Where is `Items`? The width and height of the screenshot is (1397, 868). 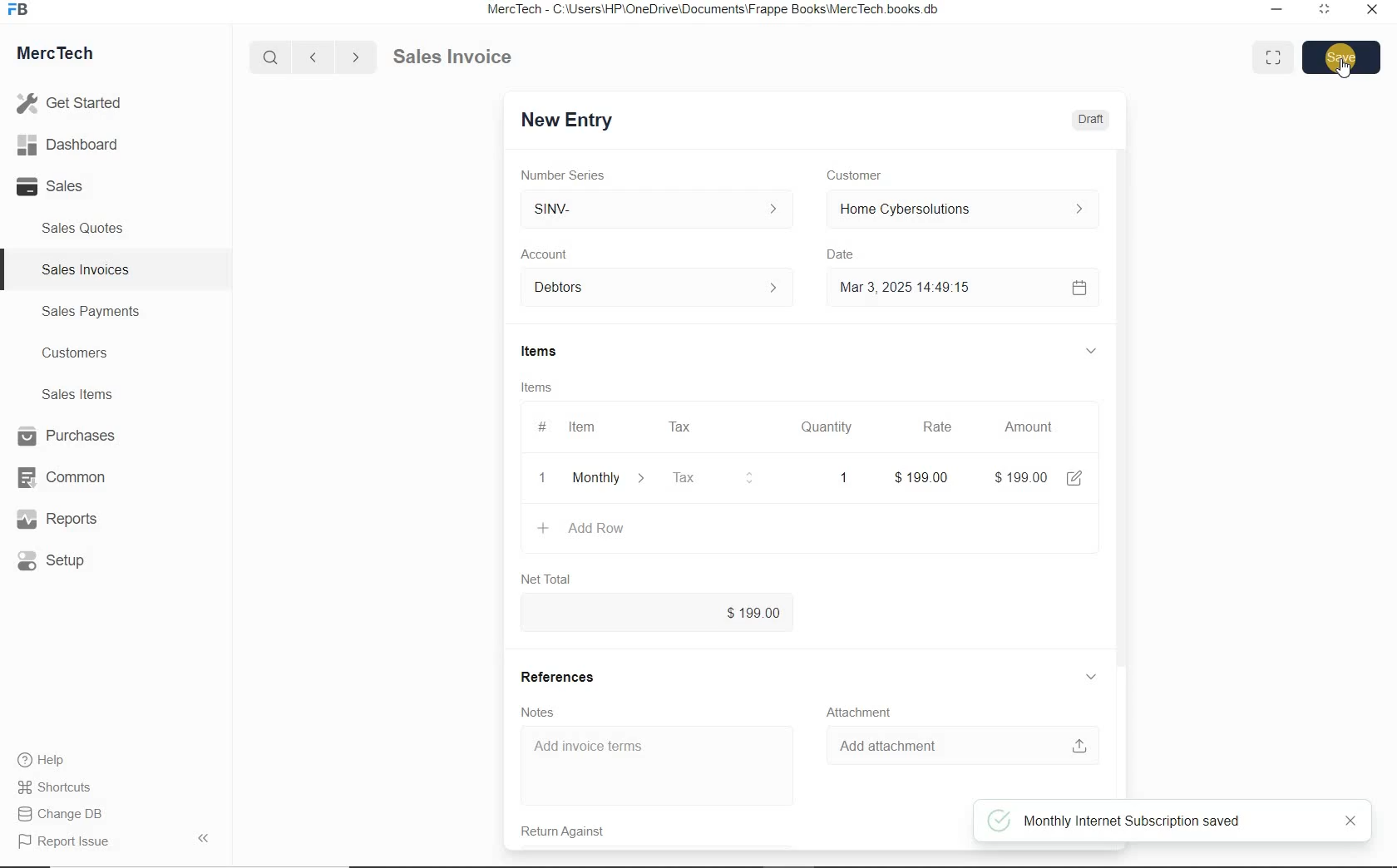 Items is located at coordinates (539, 389).